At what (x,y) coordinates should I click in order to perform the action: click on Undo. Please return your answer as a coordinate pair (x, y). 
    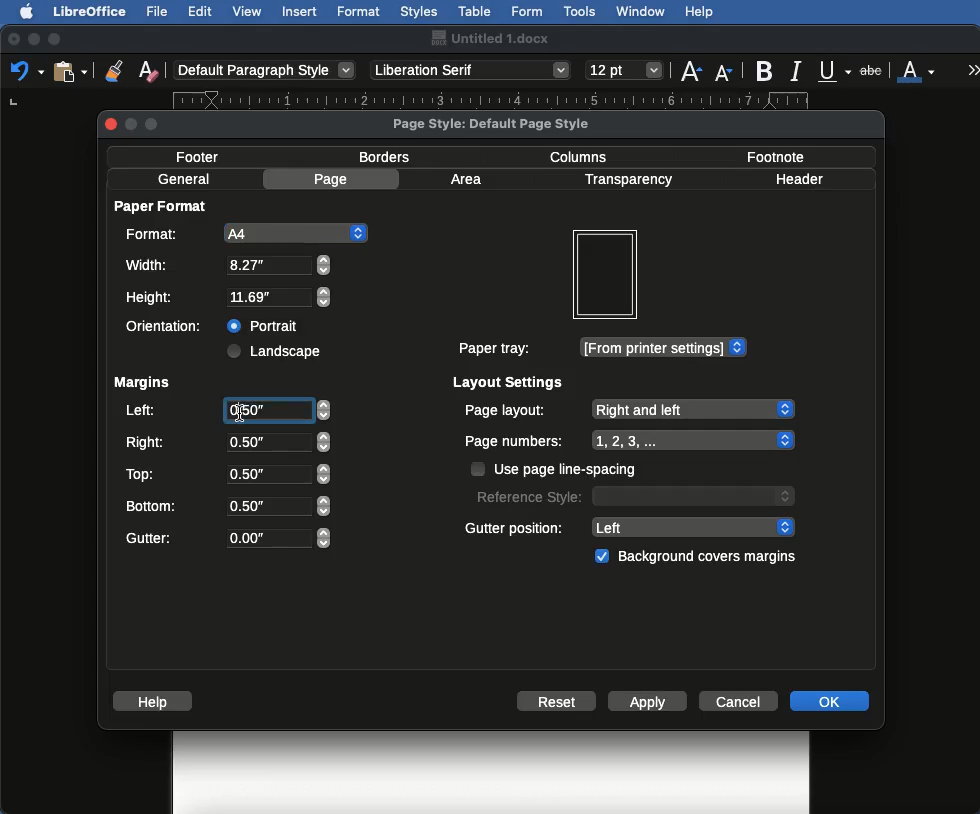
    Looking at the image, I should click on (26, 70).